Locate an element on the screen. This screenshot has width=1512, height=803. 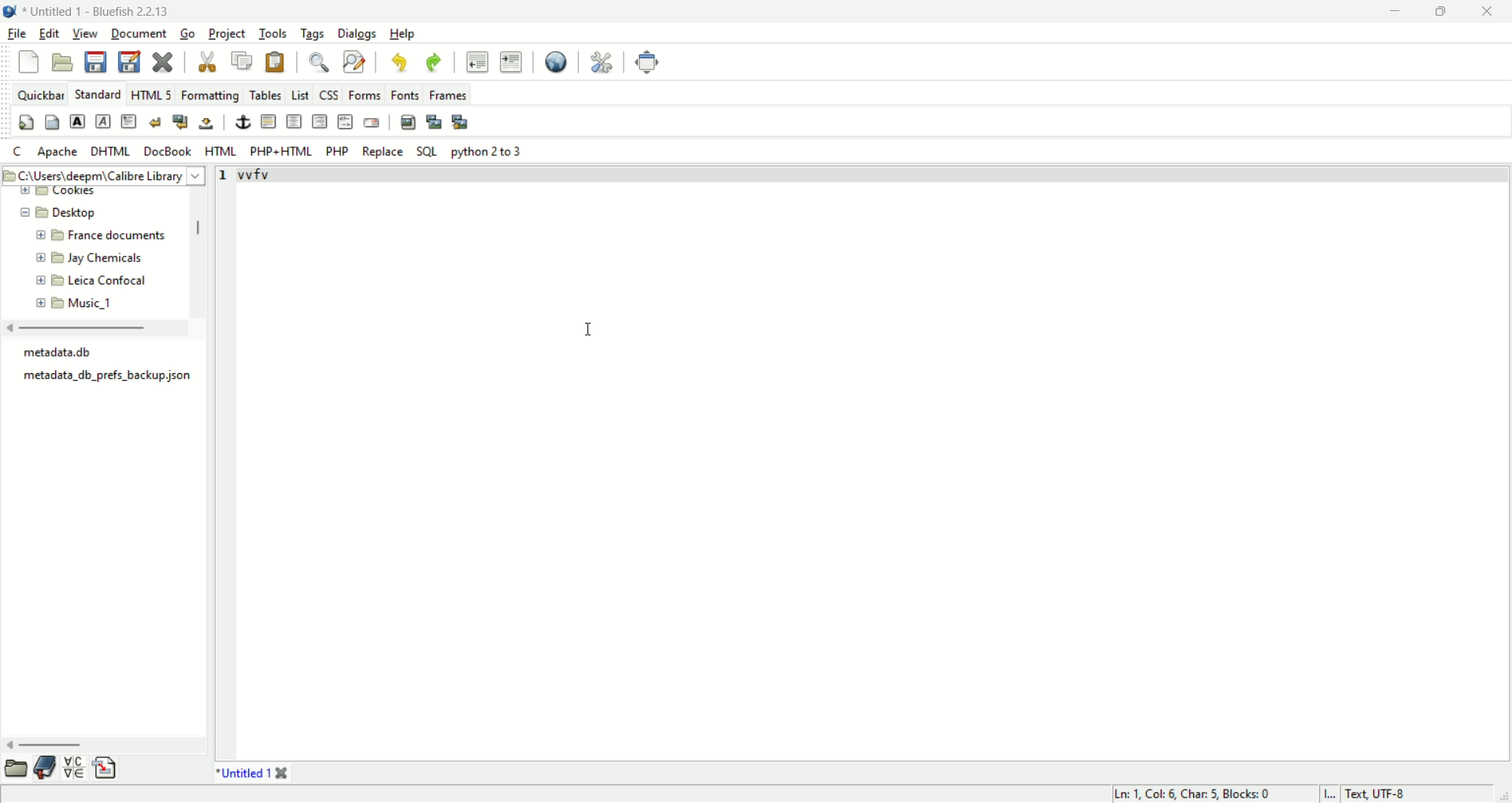
‘metadata_db_prefs_backup json is located at coordinates (105, 377).